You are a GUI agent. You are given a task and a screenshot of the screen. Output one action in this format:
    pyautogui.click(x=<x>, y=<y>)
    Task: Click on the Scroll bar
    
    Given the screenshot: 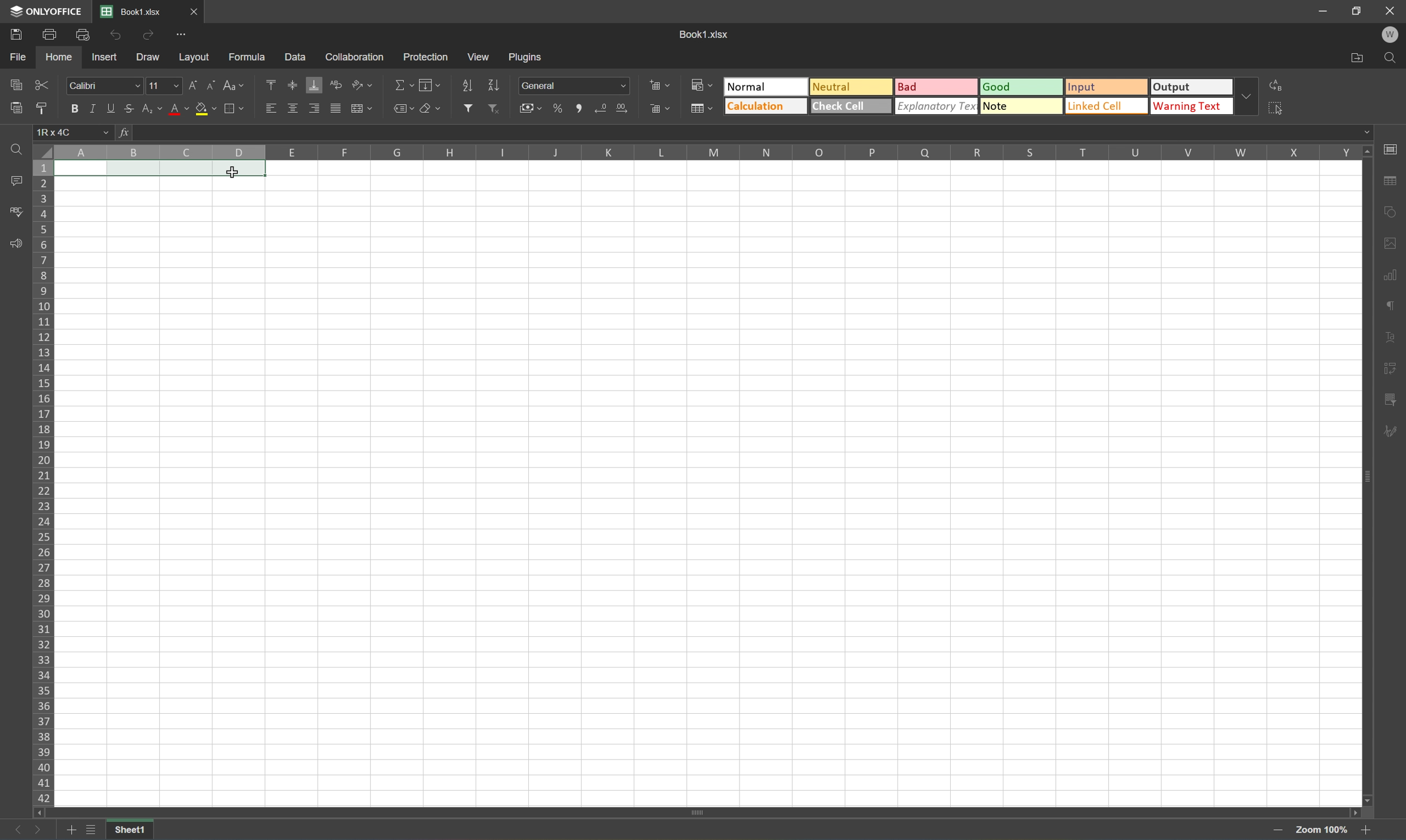 What is the action you would take?
    pyautogui.click(x=695, y=811)
    